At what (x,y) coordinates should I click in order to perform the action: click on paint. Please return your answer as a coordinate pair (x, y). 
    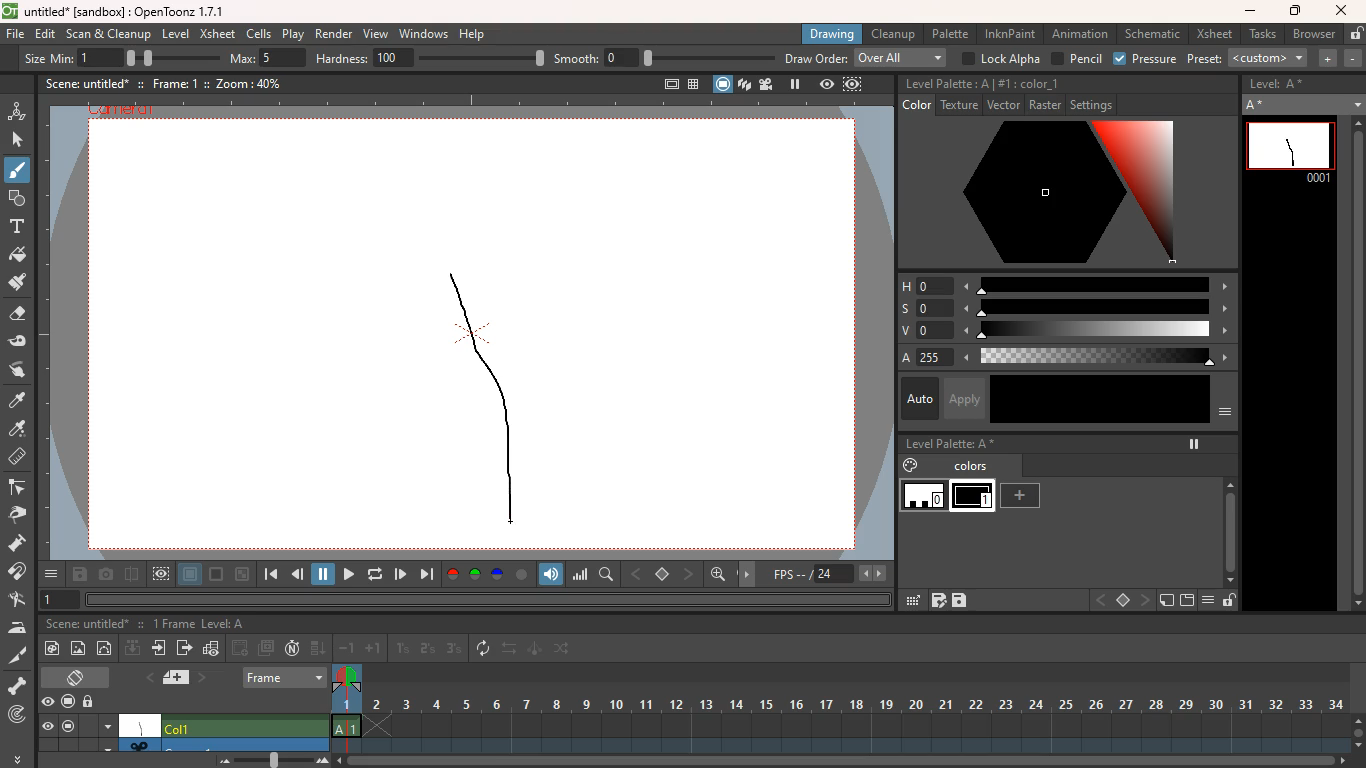
    Looking at the image, I should click on (55, 648).